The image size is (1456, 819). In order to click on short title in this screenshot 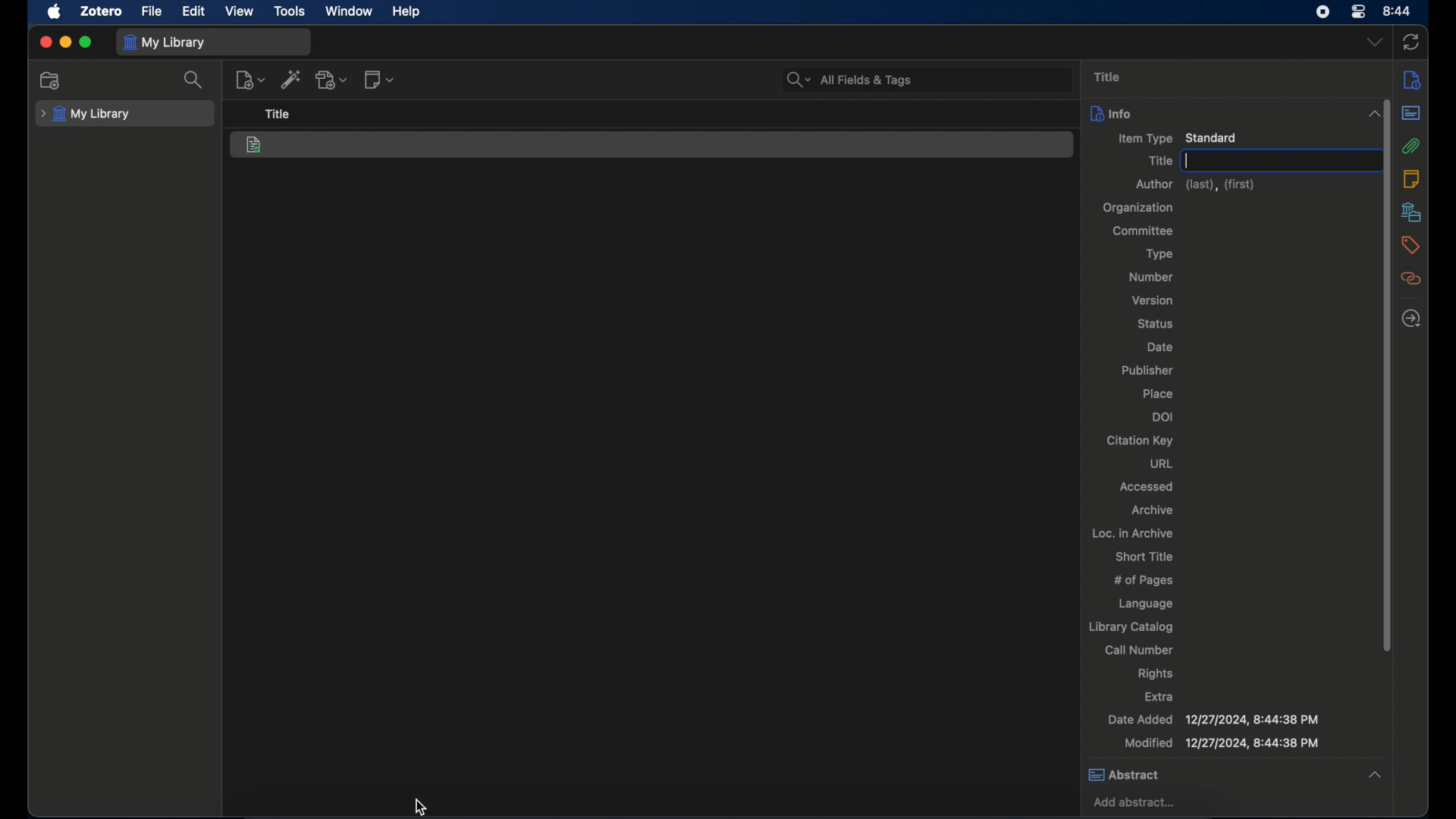, I will do `click(1143, 556)`.